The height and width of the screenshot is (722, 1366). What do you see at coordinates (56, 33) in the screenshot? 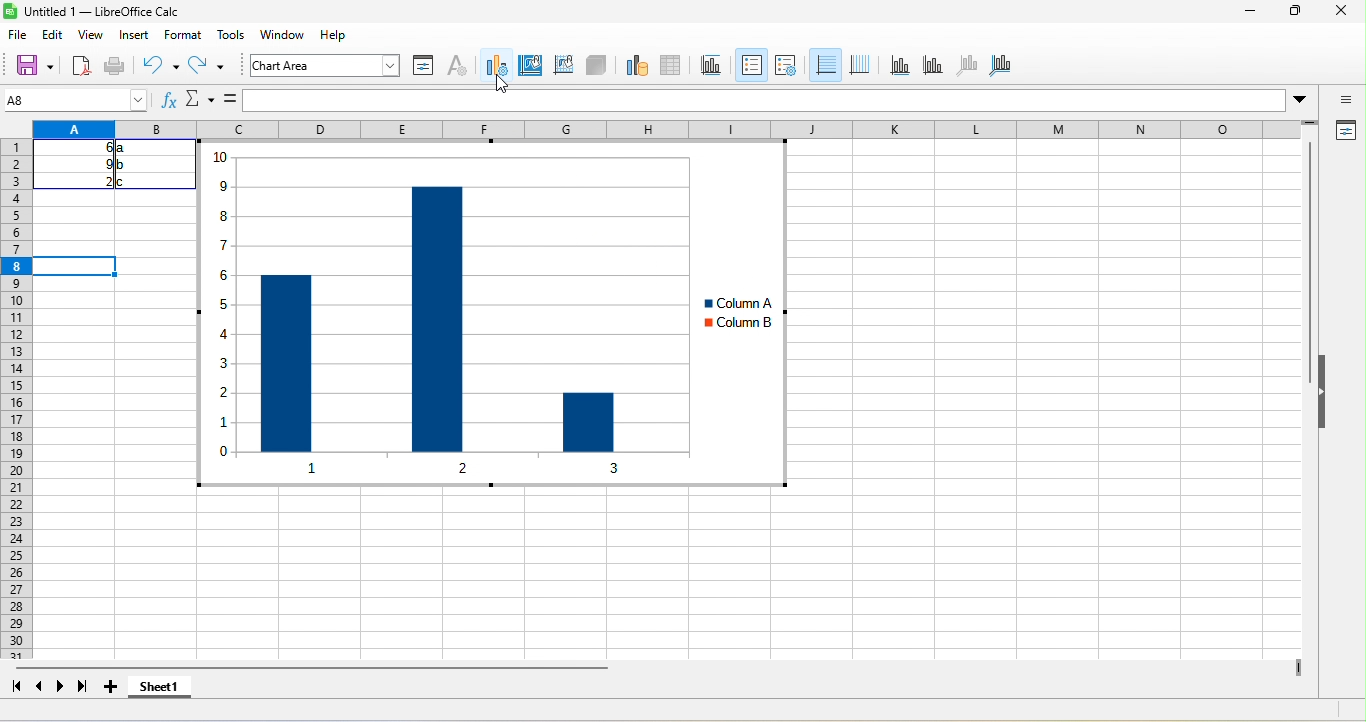
I see `edit` at bounding box center [56, 33].